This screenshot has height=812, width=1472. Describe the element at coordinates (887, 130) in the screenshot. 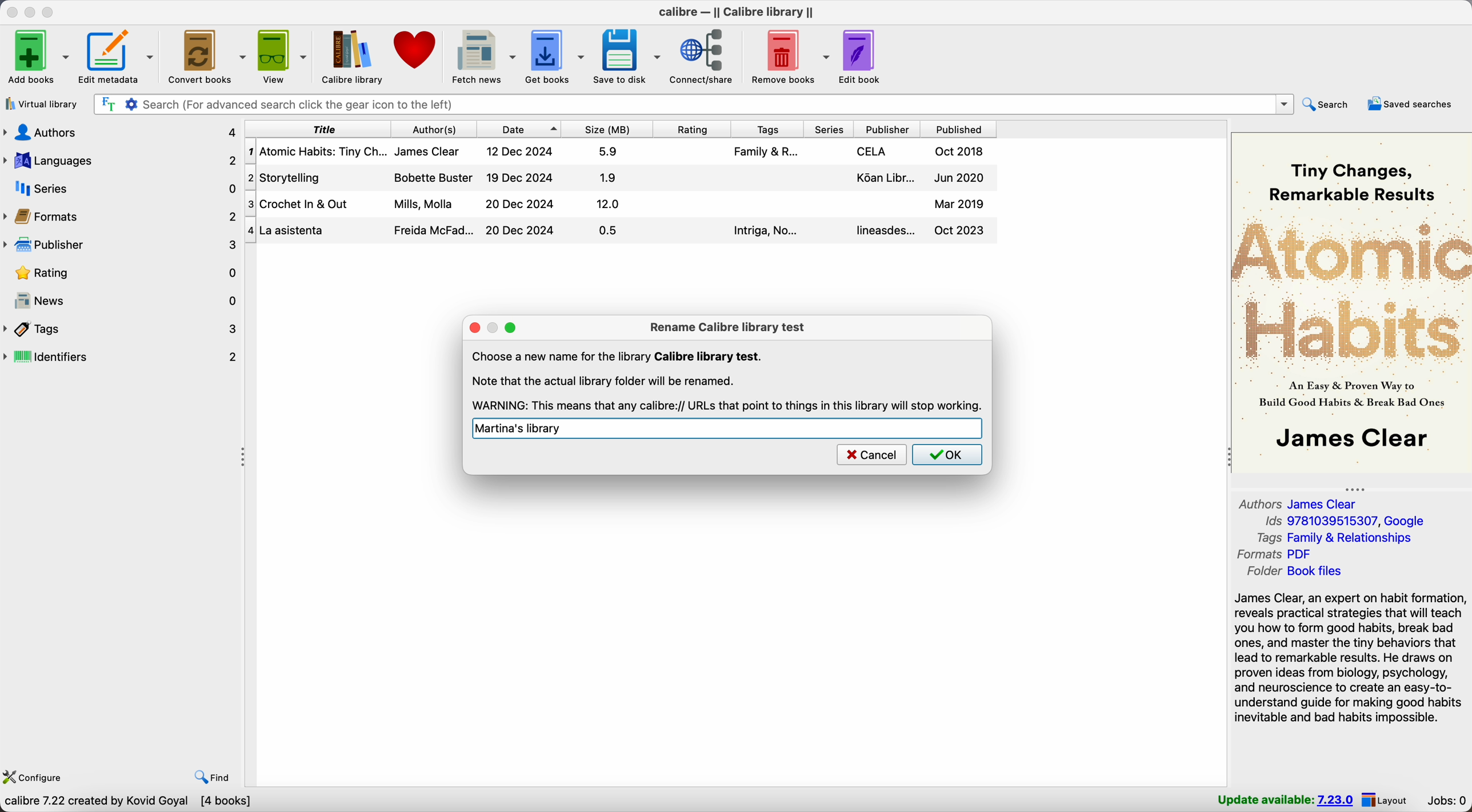

I see `publisher` at that location.